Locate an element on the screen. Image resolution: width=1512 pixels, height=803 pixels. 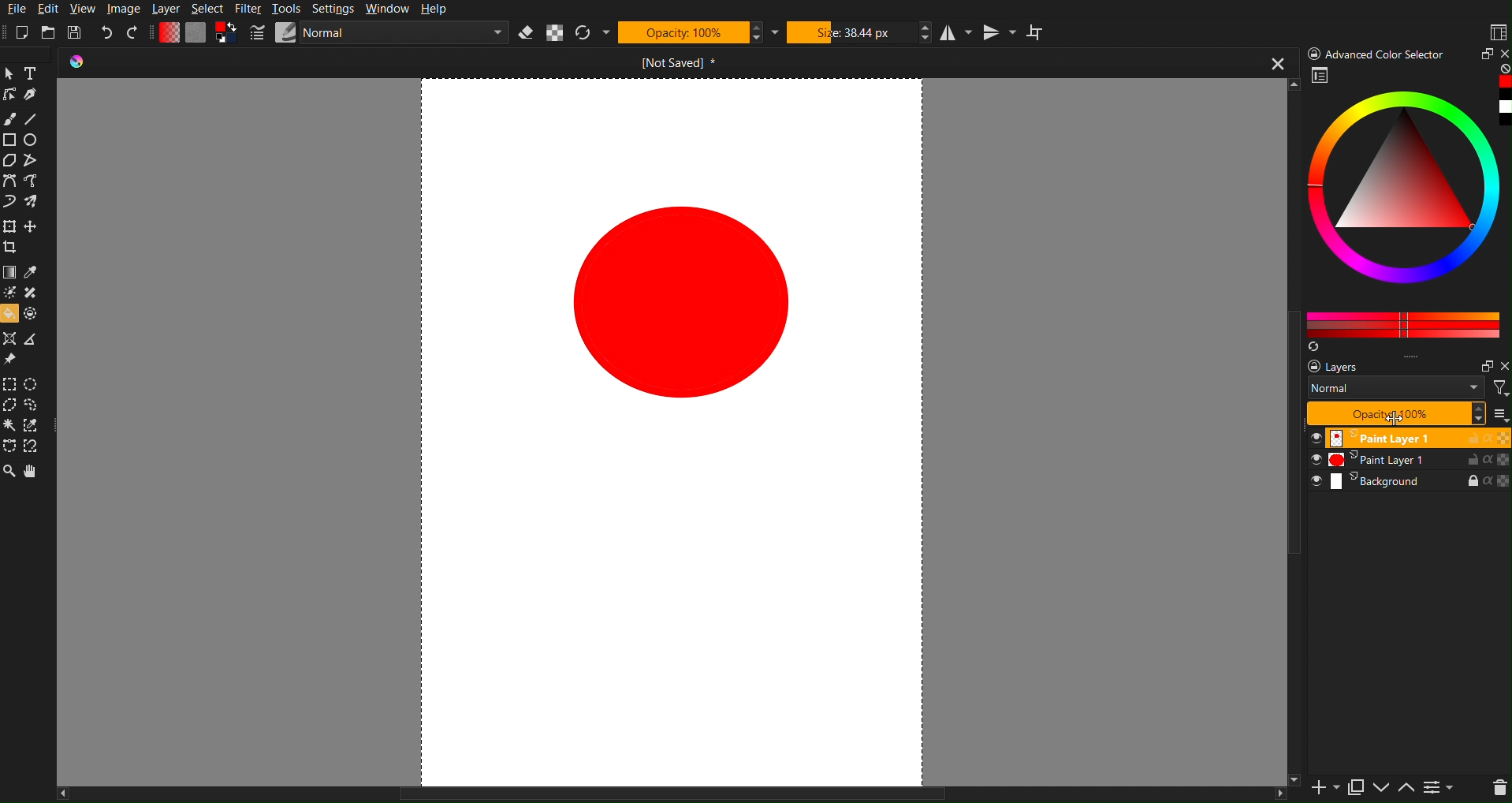
Filter is located at coordinates (247, 10).